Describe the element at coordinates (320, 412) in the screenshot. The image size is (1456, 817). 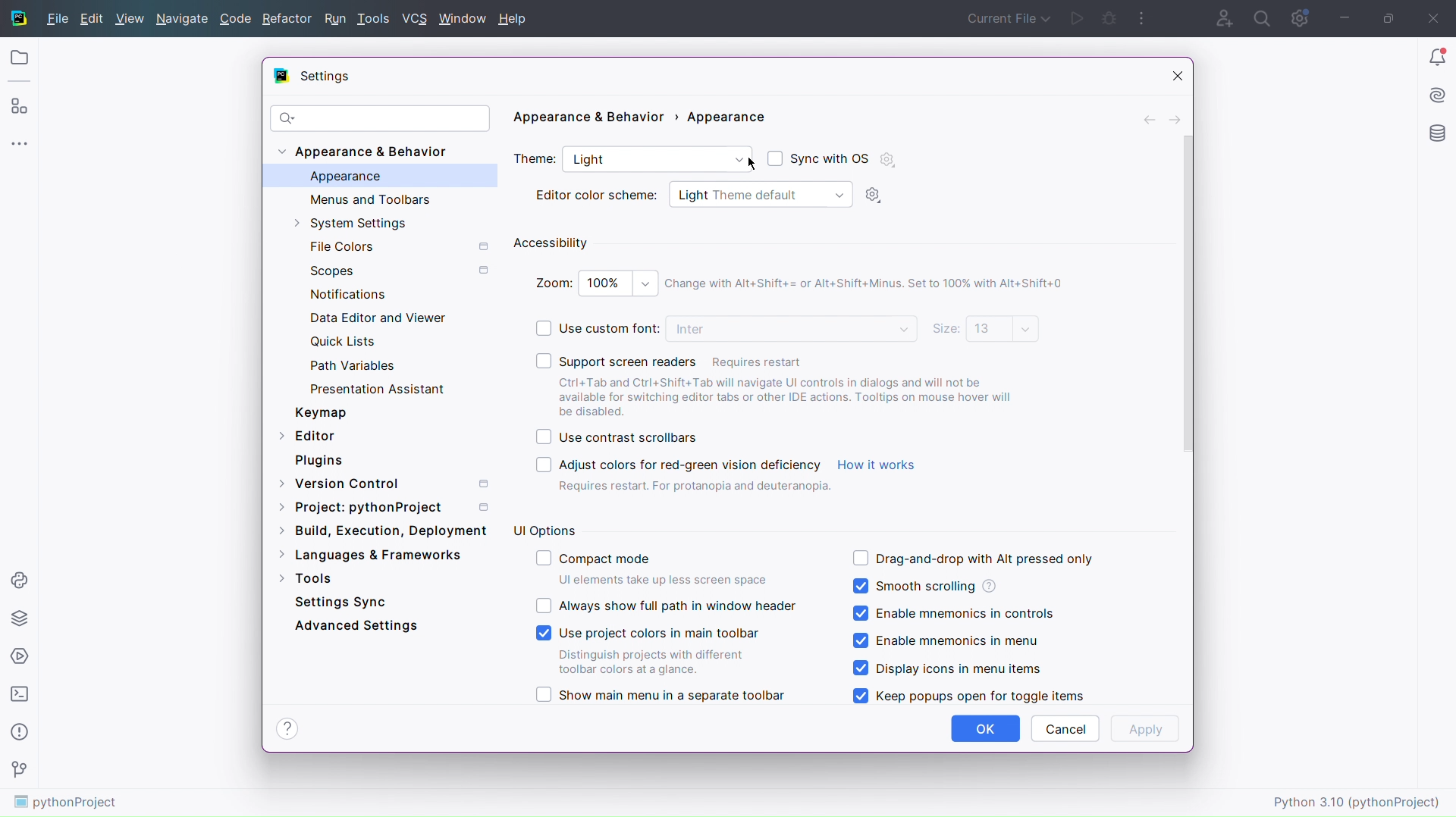
I see `Keymap` at that location.